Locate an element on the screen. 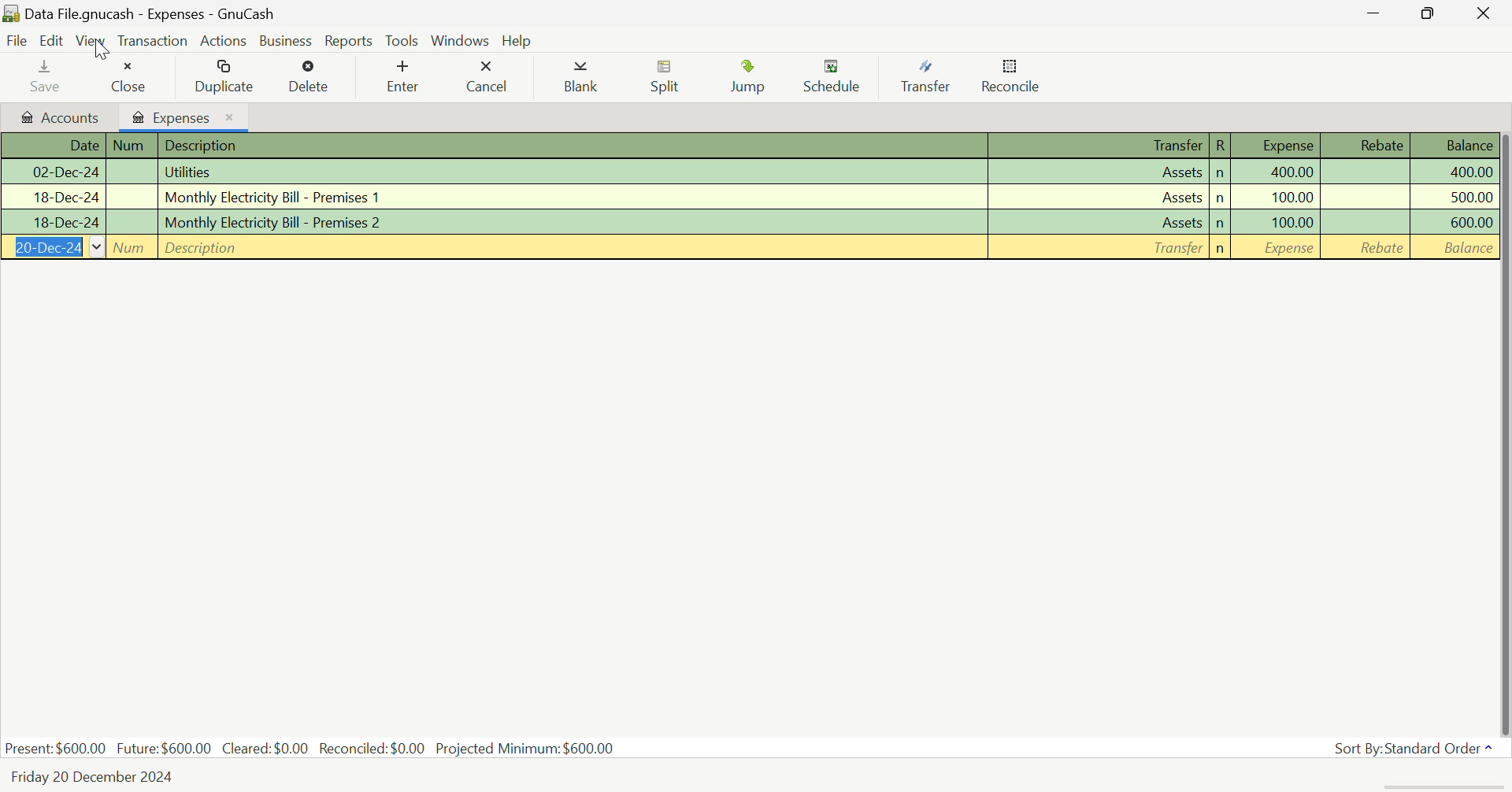 This screenshot has width=1512, height=792. Amount is located at coordinates (1291, 222).